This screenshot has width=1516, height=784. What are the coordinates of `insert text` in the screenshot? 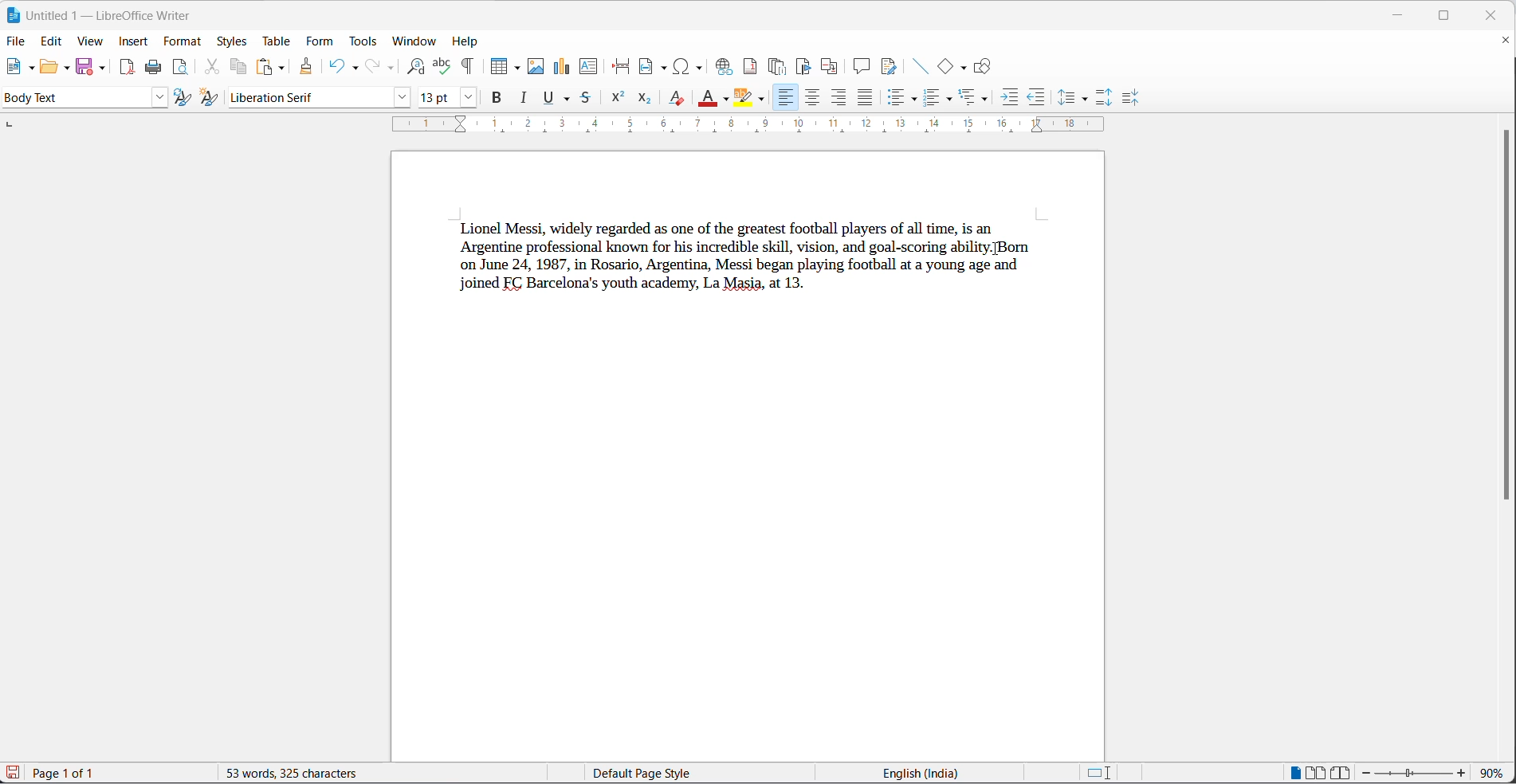 It's located at (589, 68).